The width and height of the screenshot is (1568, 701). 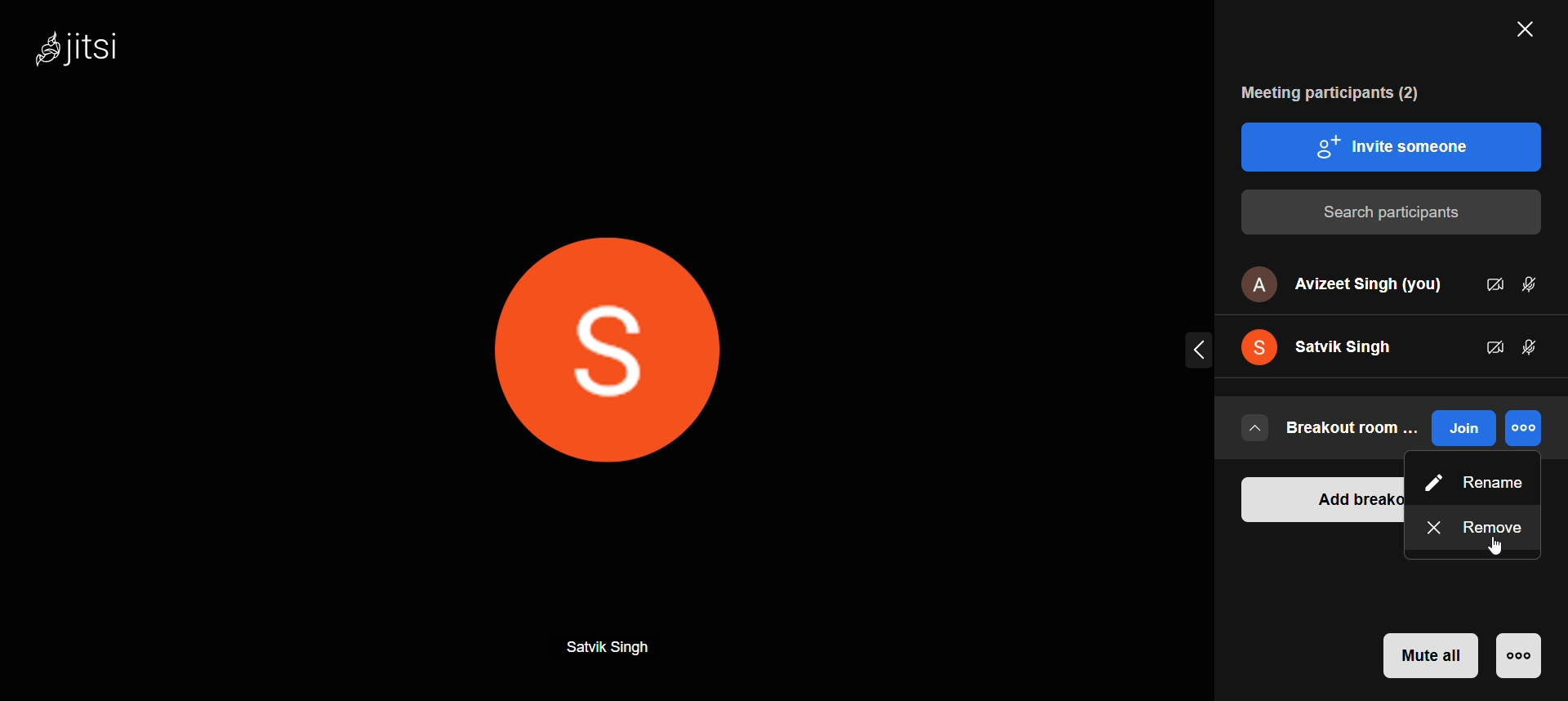 I want to click on drop down, so click(x=1255, y=426).